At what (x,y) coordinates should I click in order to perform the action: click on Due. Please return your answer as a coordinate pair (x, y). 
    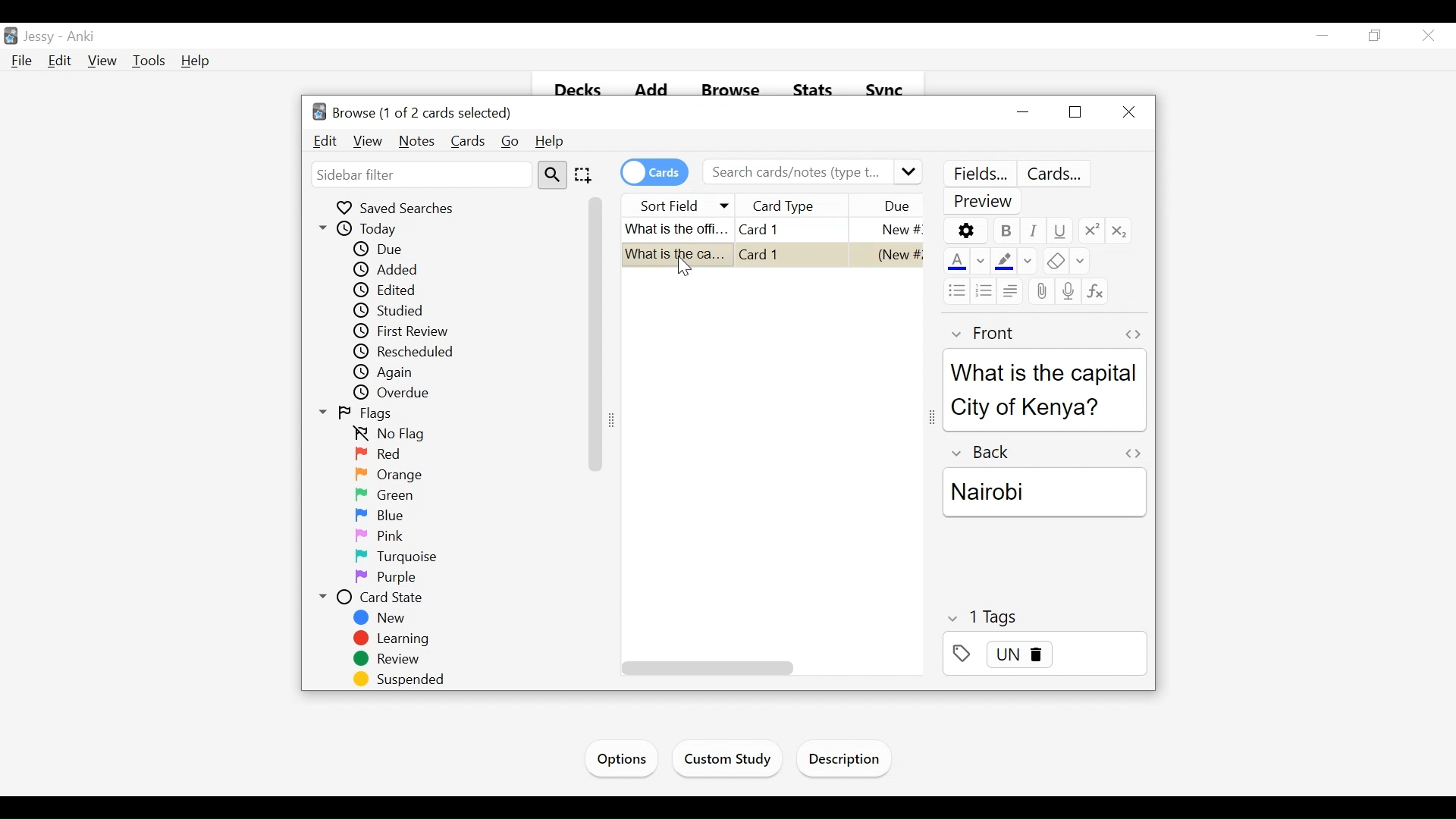
    Looking at the image, I should click on (381, 249).